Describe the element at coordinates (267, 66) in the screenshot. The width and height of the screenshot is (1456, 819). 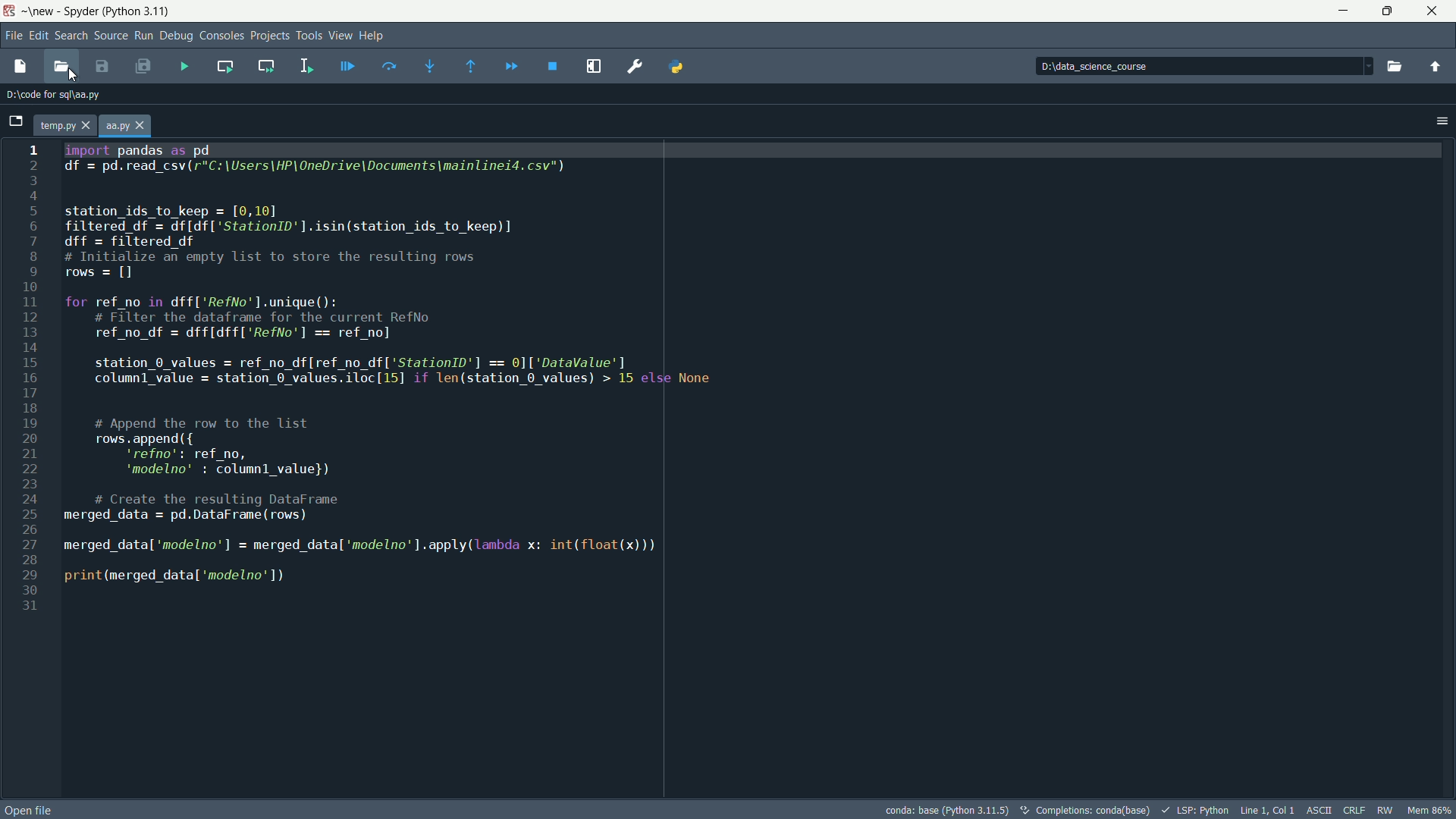
I see `run current cell and go to the next one` at that location.